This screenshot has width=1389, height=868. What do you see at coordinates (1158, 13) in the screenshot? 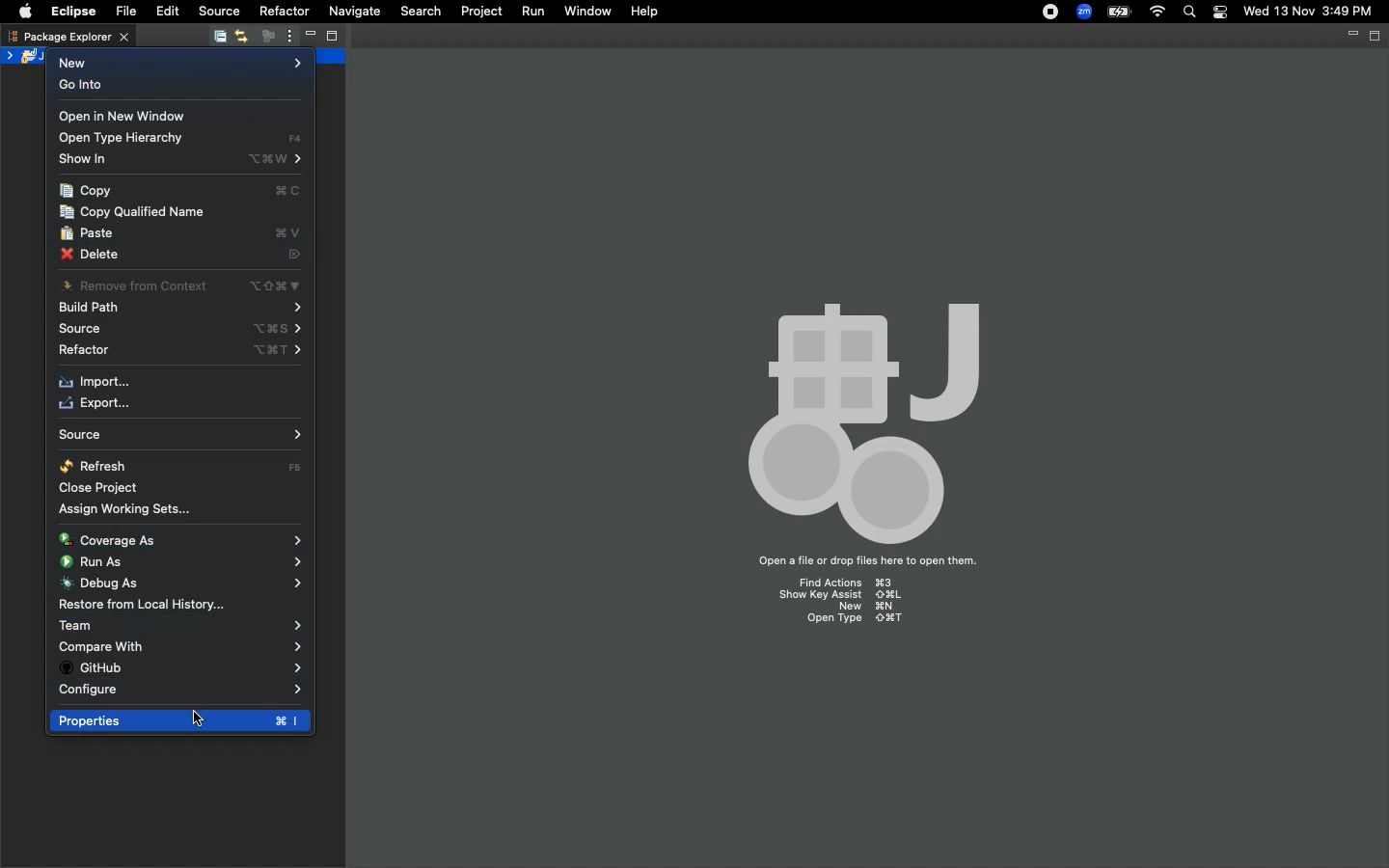
I see `Internet` at bounding box center [1158, 13].